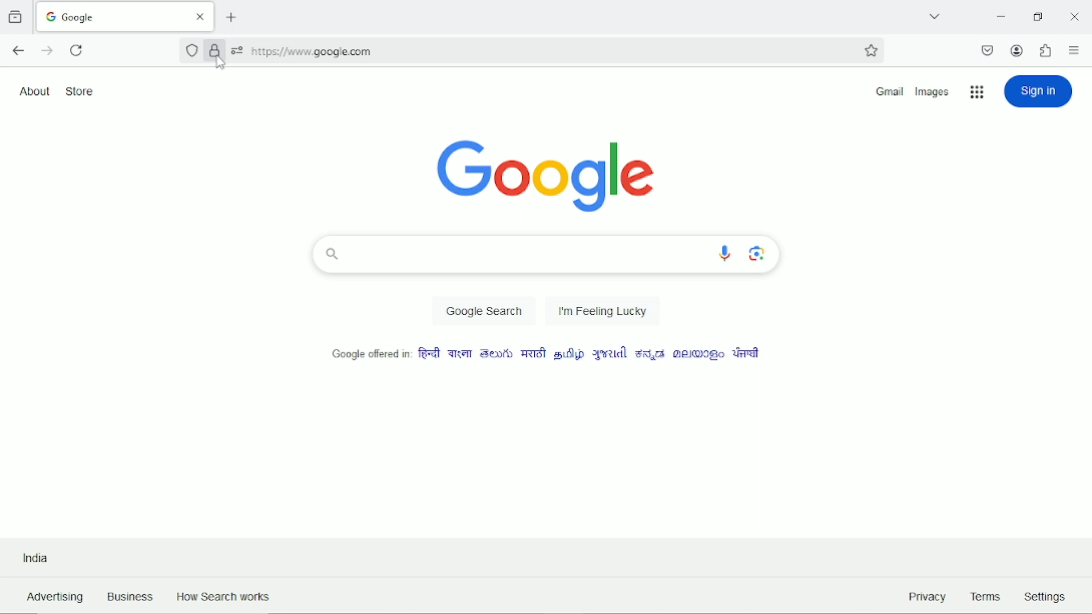  What do you see at coordinates (889, 92) in the screenshot?
I see `Gmail` at bounding box center [889, 92].